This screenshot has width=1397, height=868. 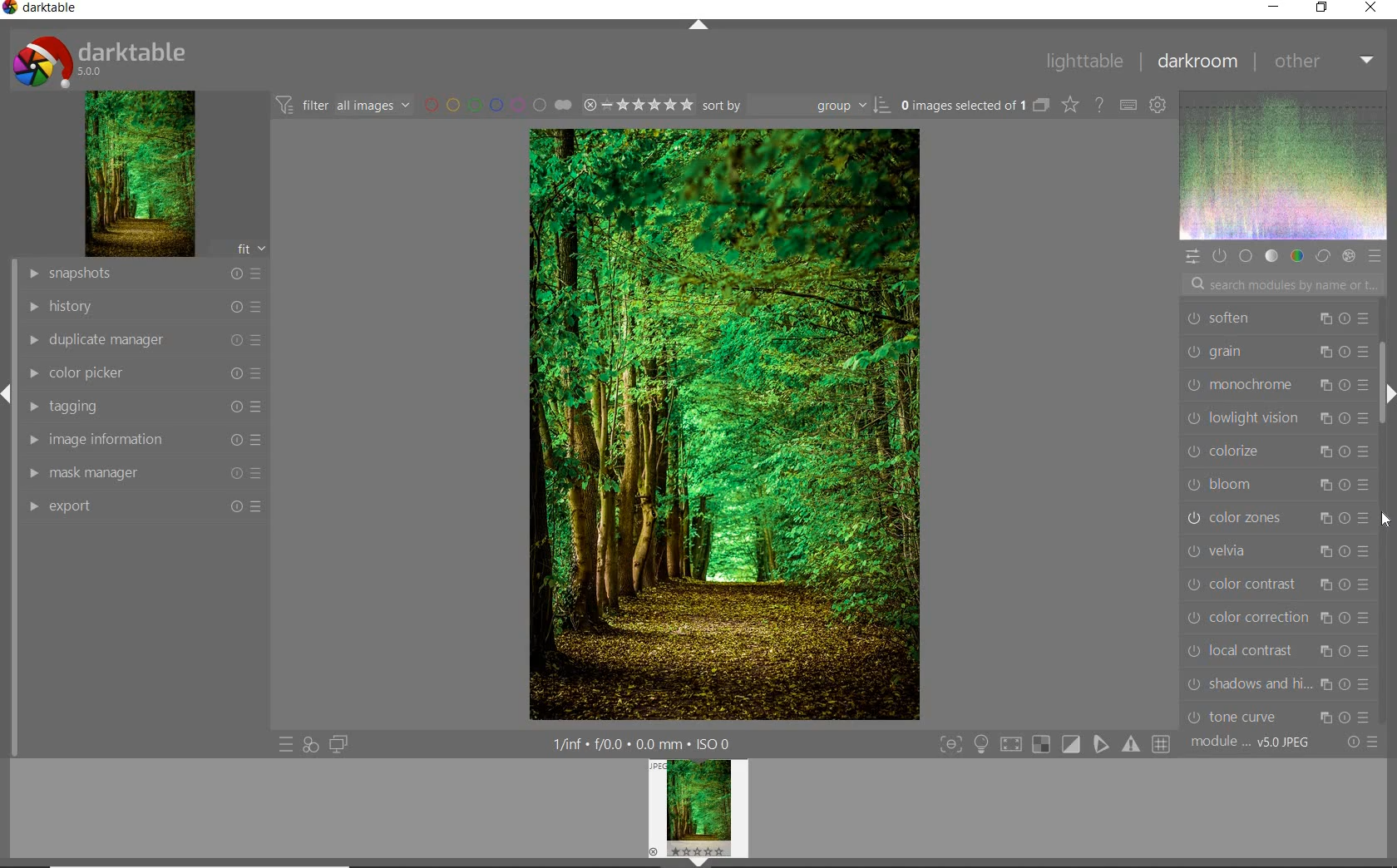 What do you see at coordinates (636, 103) in the screenshot?
I see `SELECTED IMAGE RANGE RATING` at bounding box center [636, 103].